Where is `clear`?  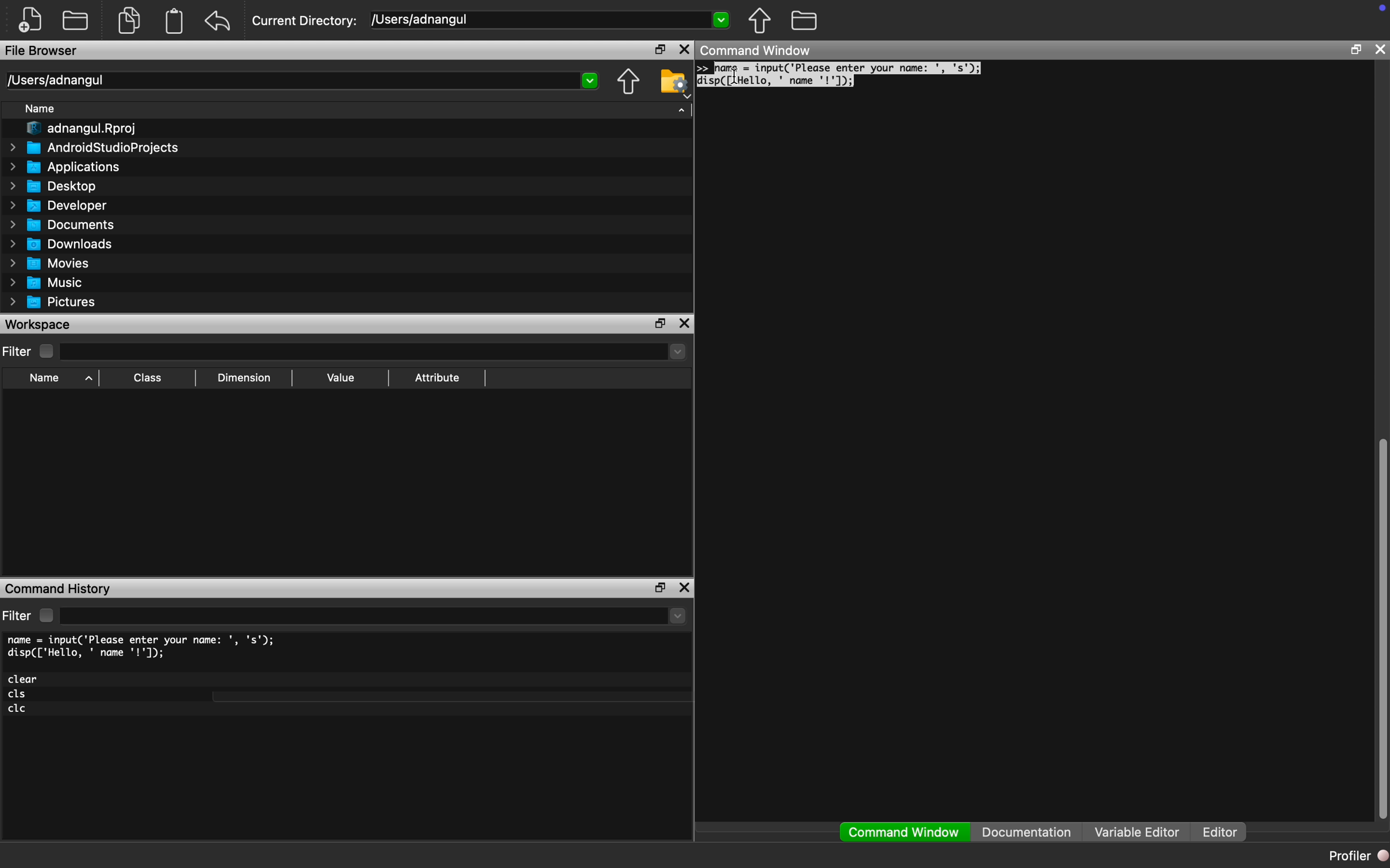
clear is located at coordinates (24, 679).